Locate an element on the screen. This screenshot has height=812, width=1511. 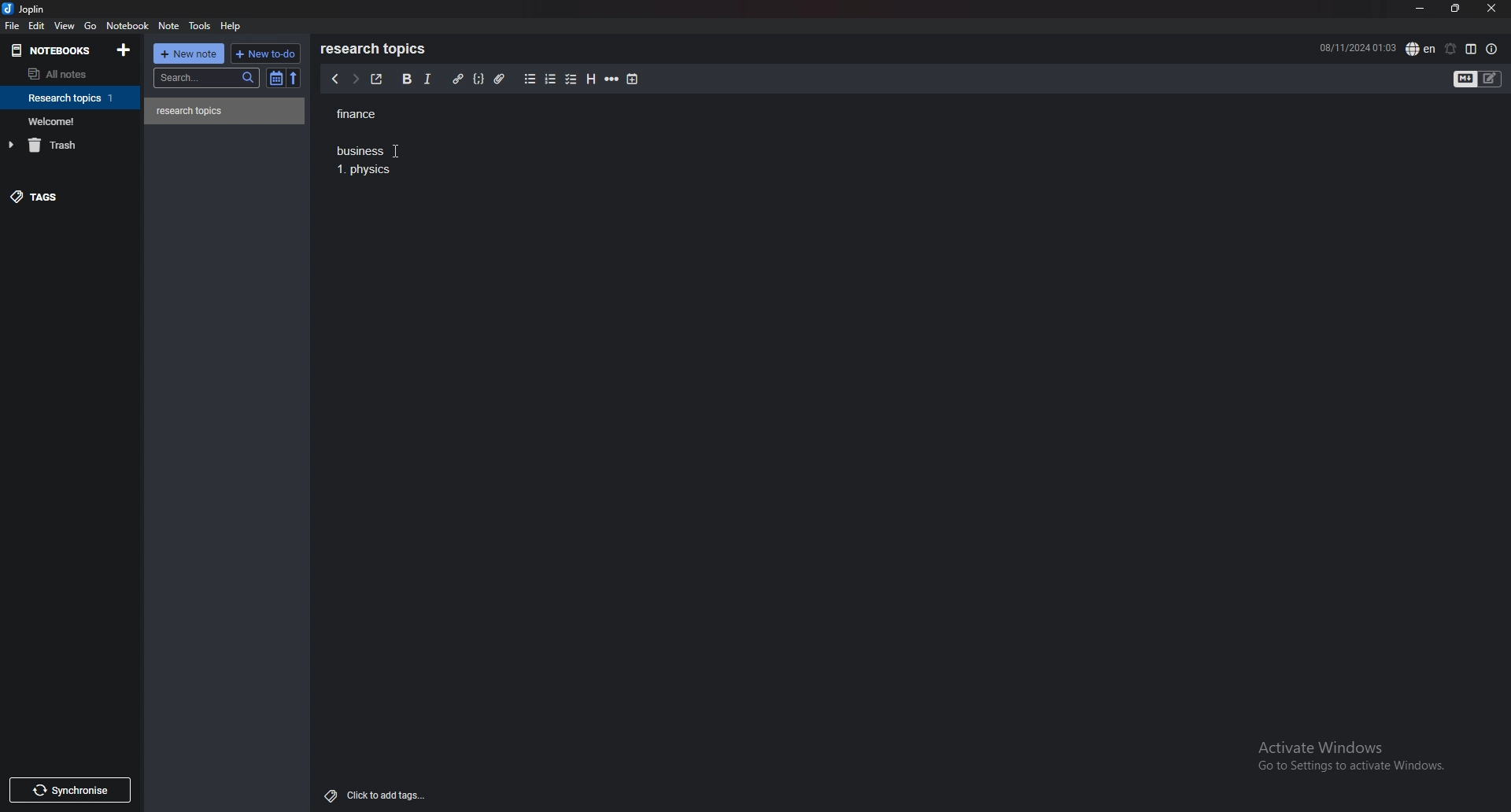
reverse sort order is located at coordinates (293, 78).